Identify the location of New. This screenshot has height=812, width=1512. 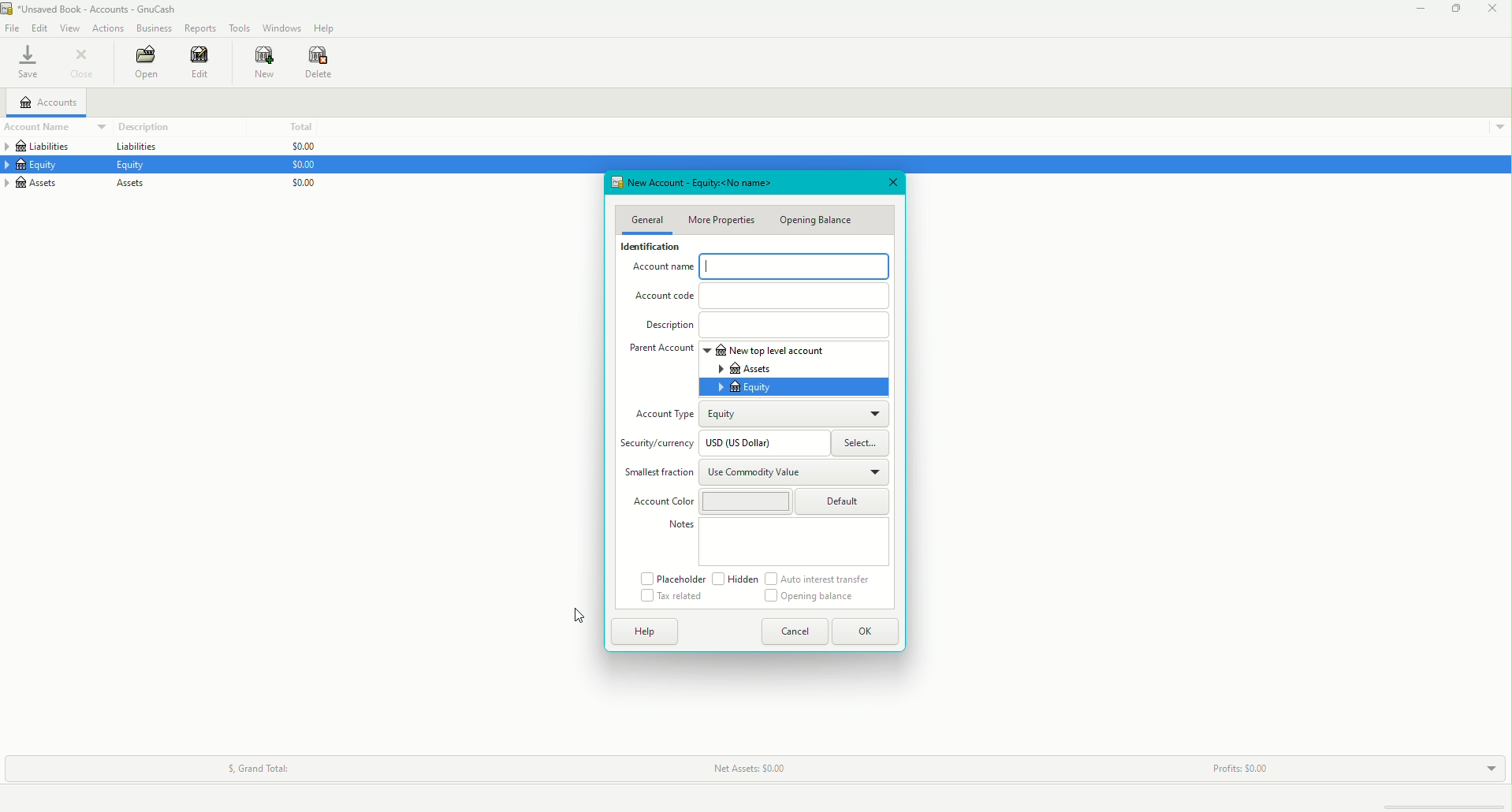
(261, 63).